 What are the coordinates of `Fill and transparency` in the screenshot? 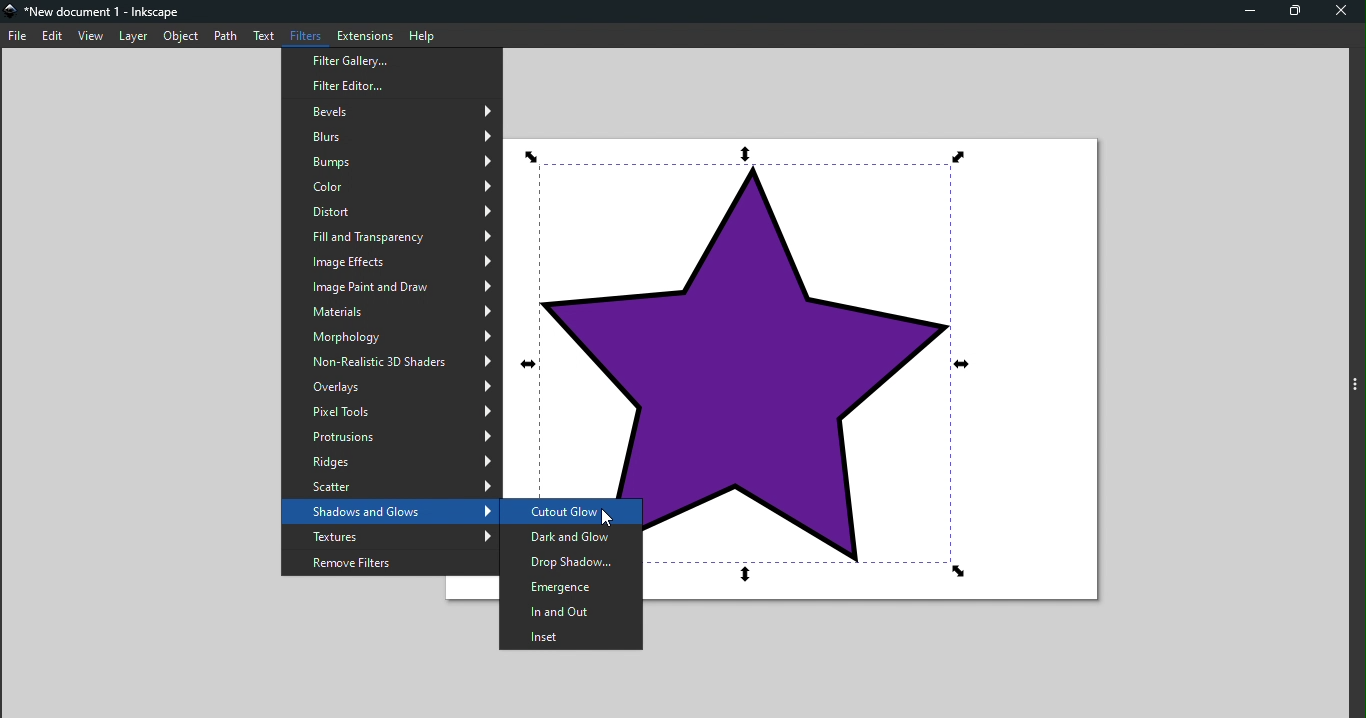 It's located at (391, 240).